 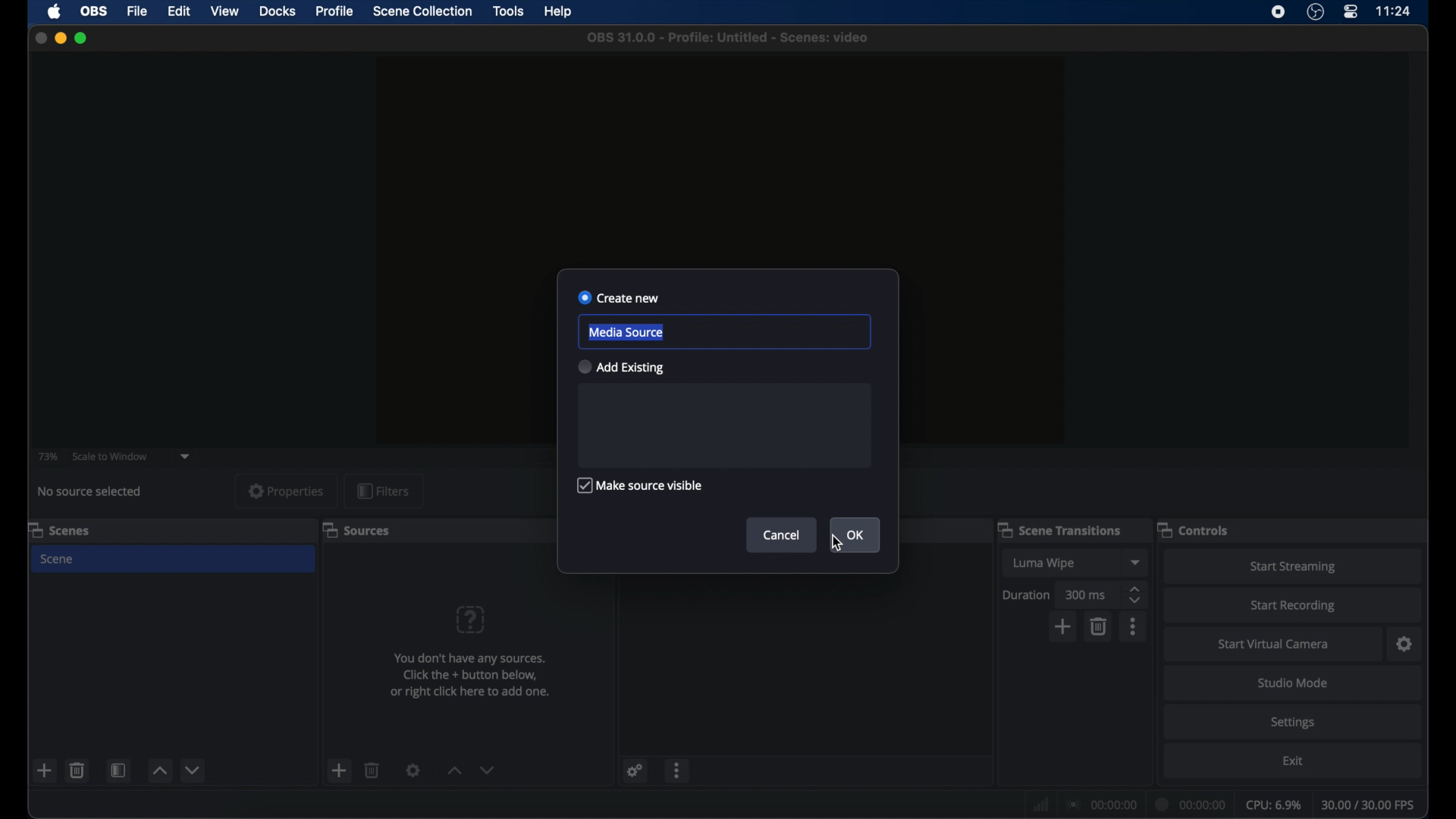 I want to click on make source visible, so click(x=639, y=485).